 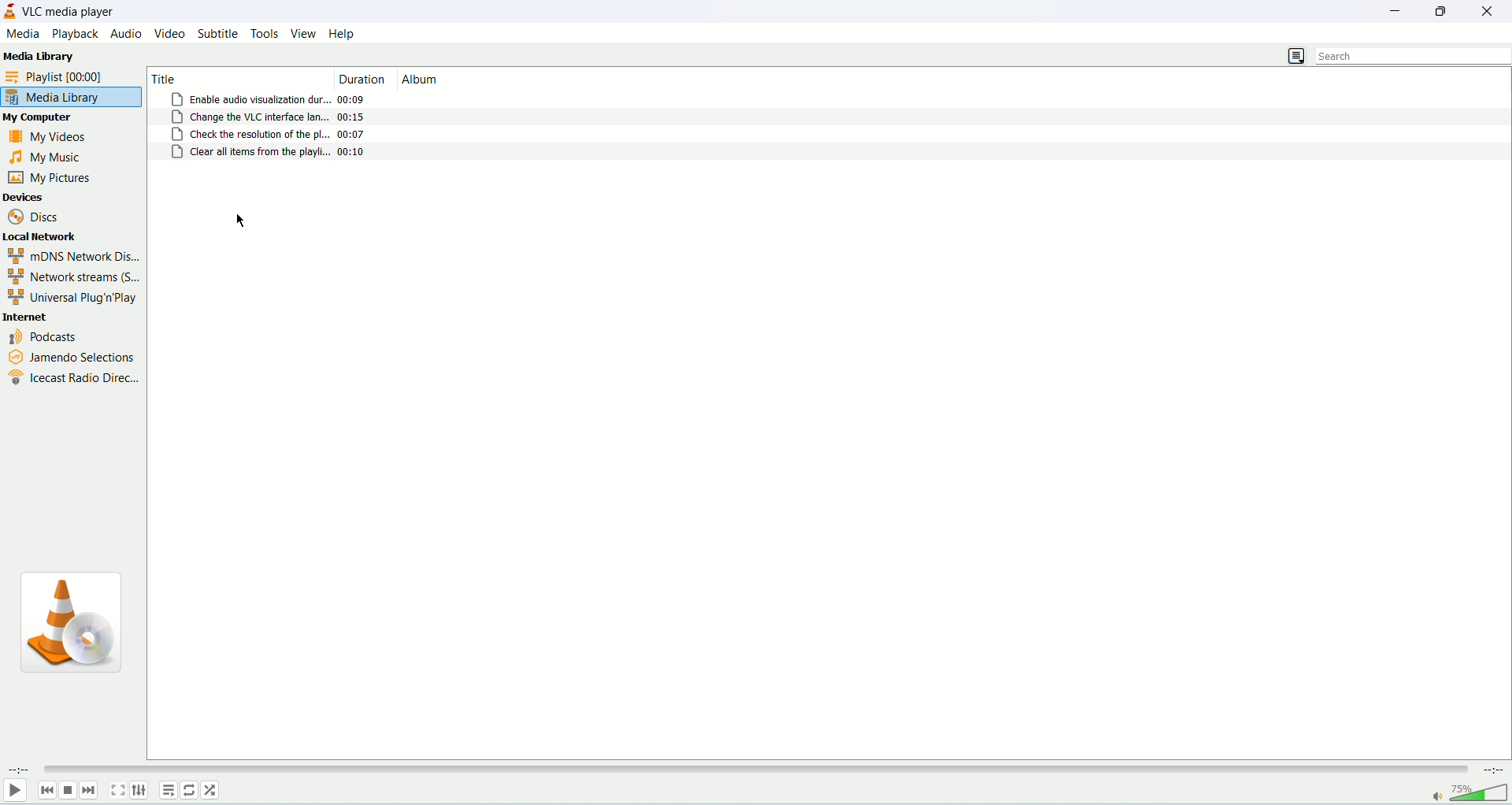 What do you see at coordinates (171, 32) in the screenshot?
I see `video` at bounding box center [171, 32].